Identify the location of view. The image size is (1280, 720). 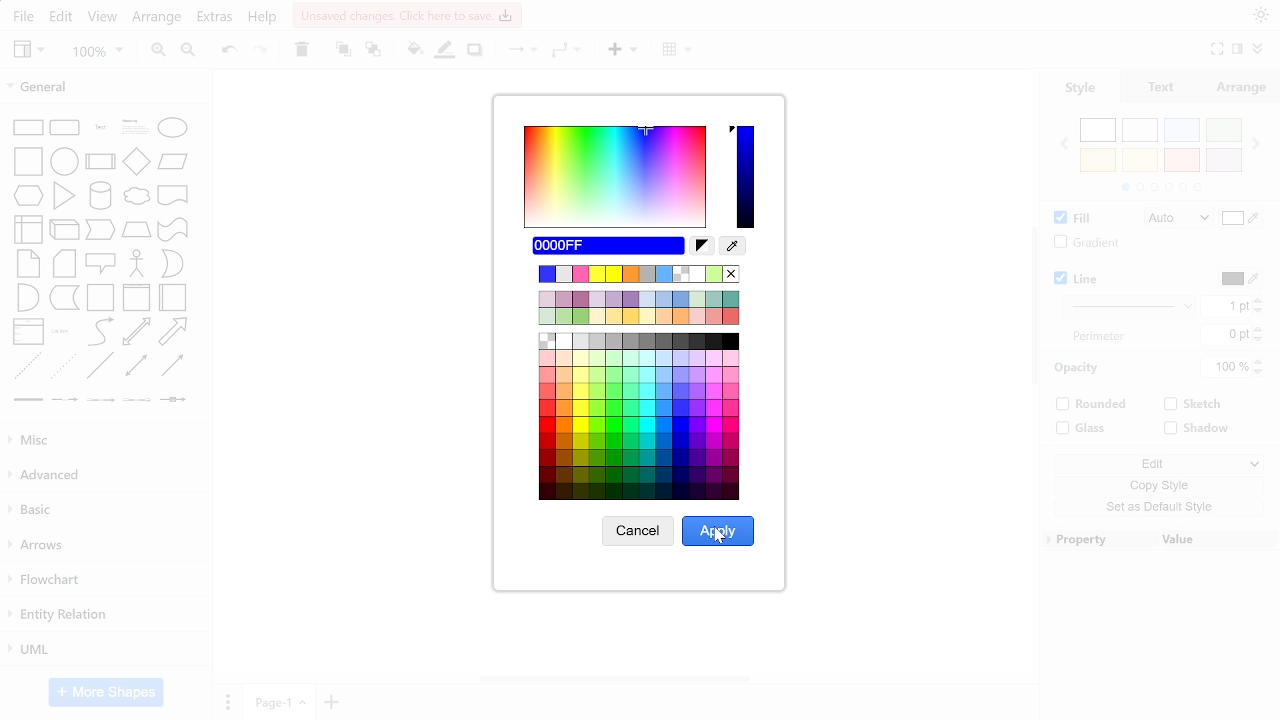
(102, 19).